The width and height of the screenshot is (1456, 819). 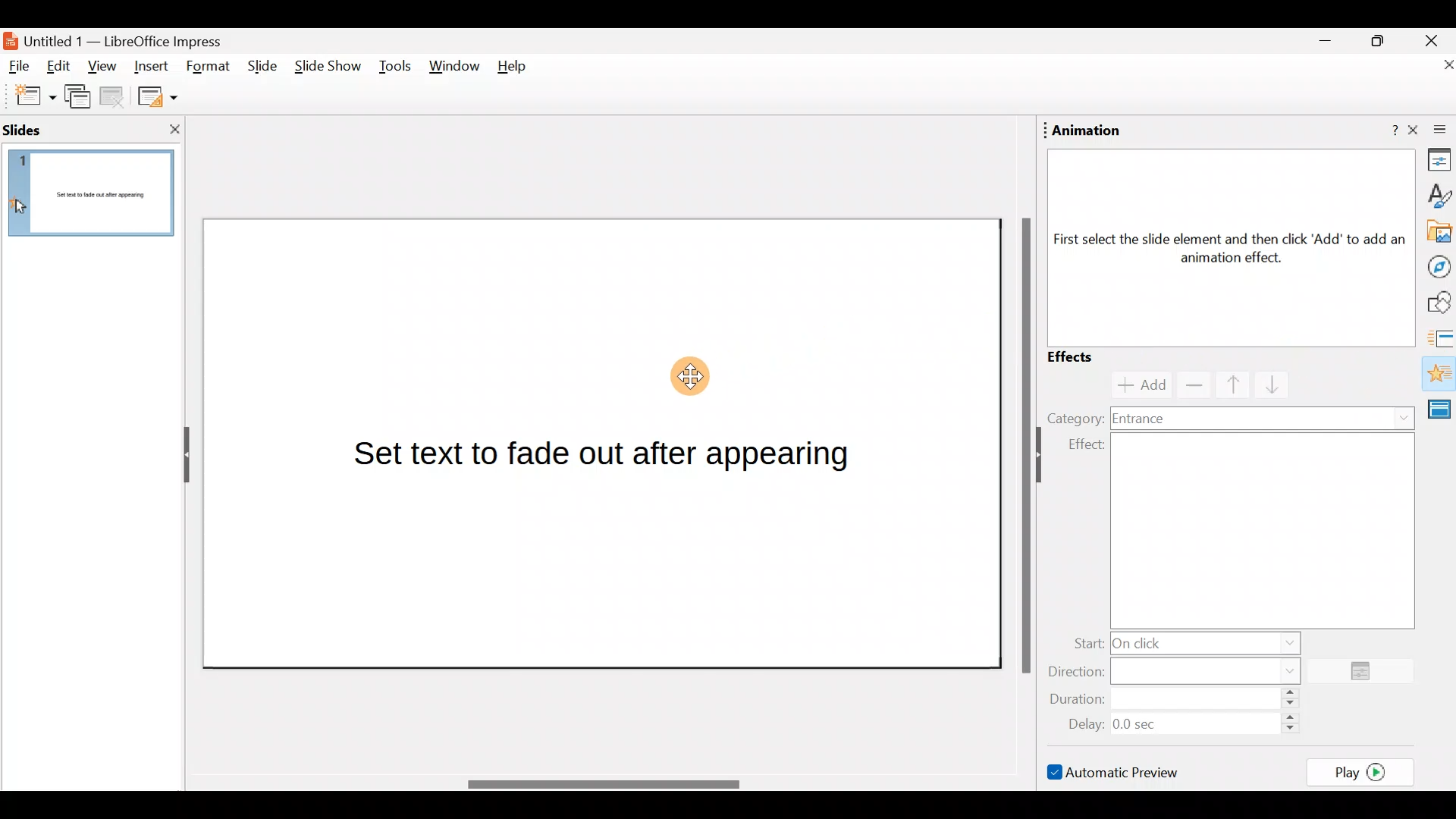 What do you see at coordinates (1179, 722) in the screenshot?
I see `Delay` at bounding box center [1179, 722].